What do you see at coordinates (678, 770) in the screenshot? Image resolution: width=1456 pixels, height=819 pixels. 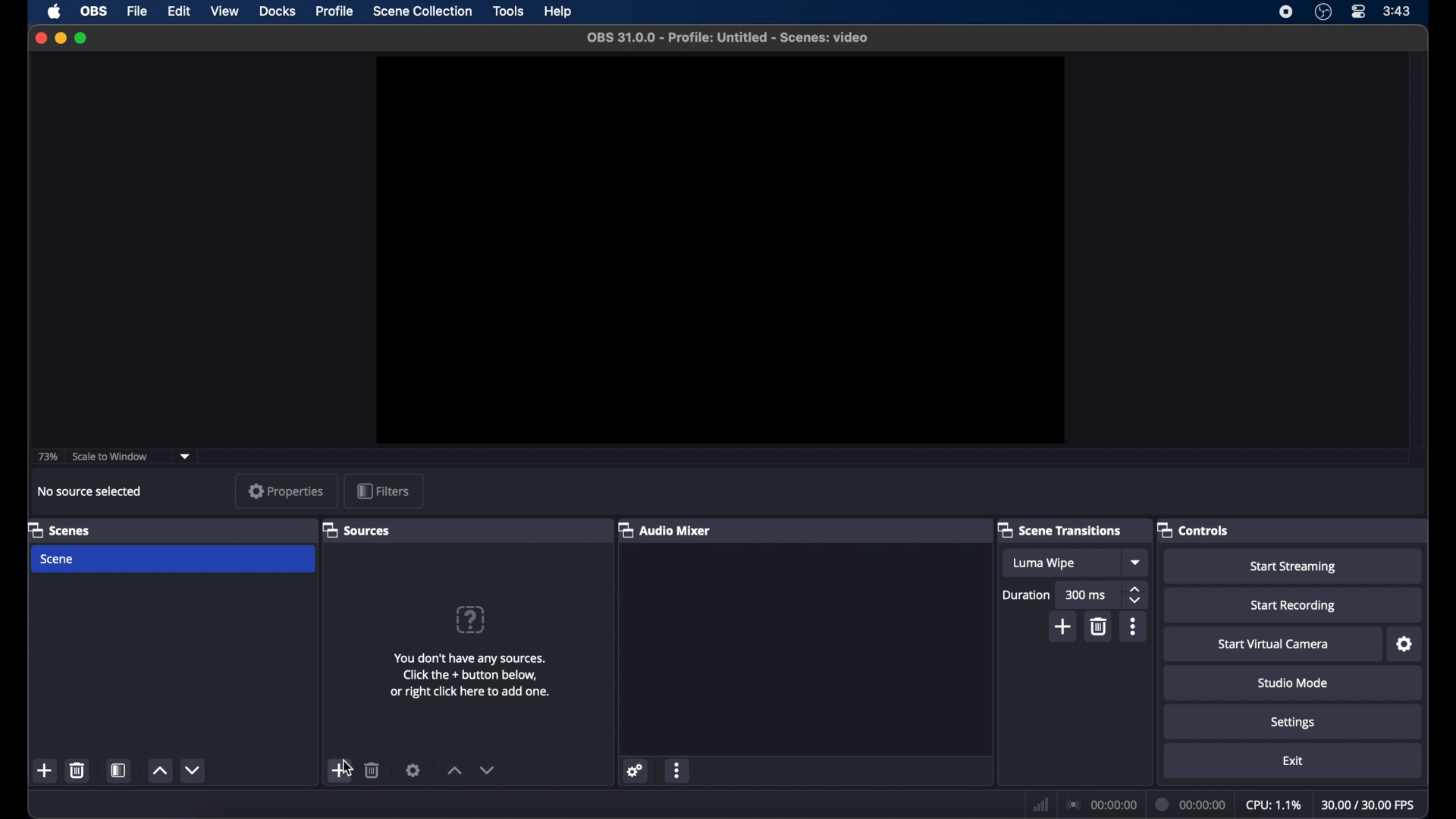 I see `more options` at bounding box center [678, 770].